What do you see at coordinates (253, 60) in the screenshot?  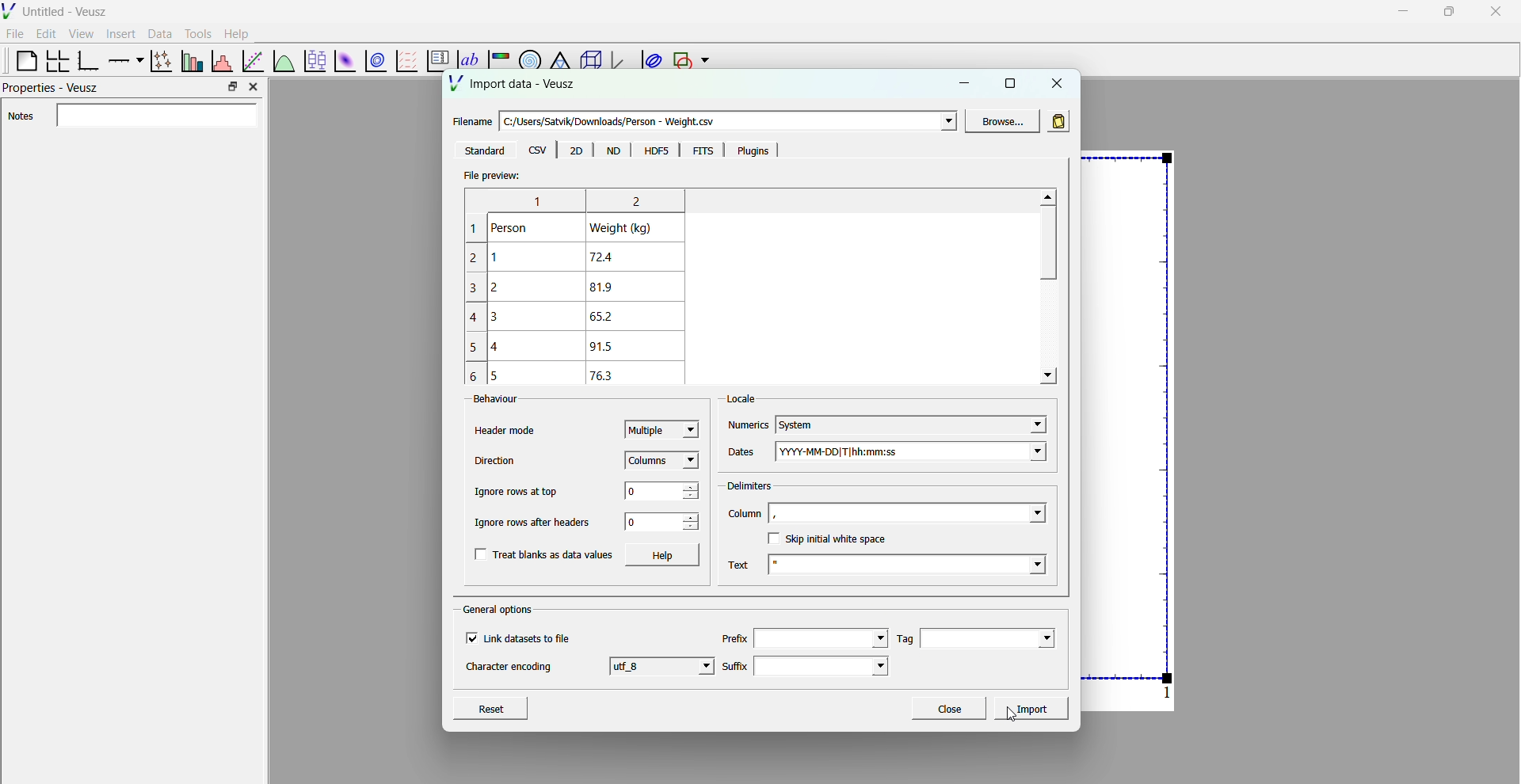 I see `fit a function to a date` at bounding box center [253, 60].